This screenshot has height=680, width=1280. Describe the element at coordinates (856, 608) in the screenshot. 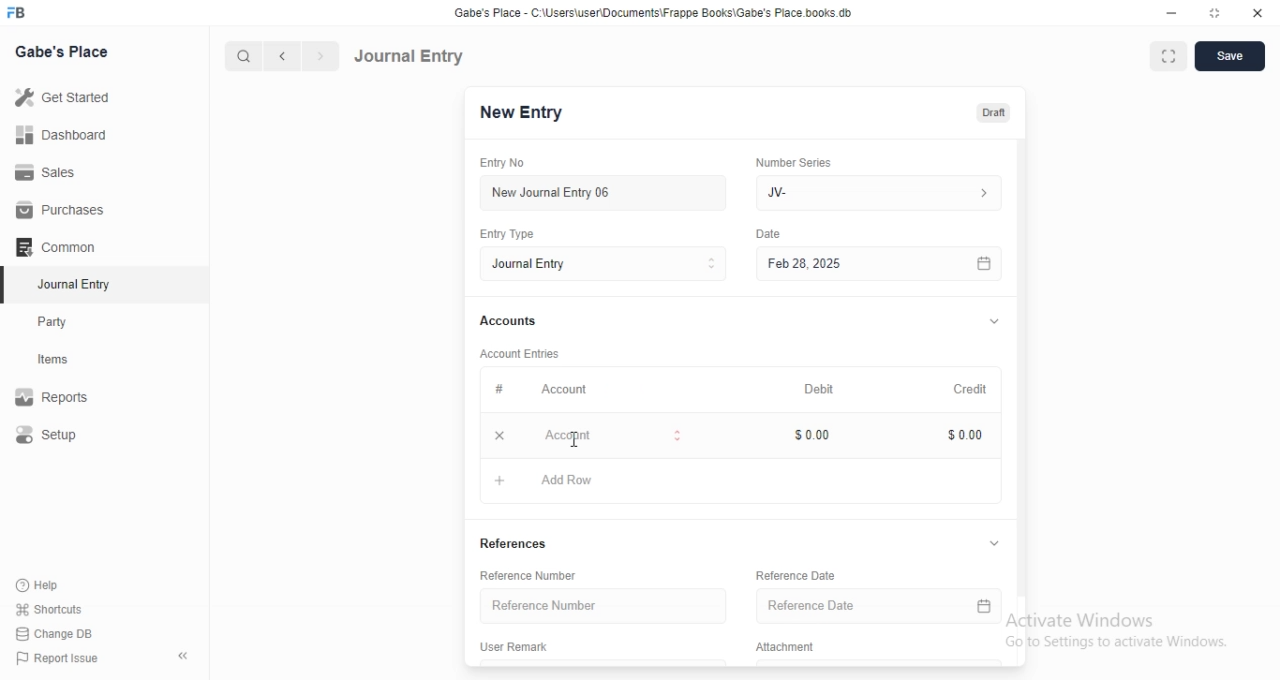

I see `Reference Date` at that location.